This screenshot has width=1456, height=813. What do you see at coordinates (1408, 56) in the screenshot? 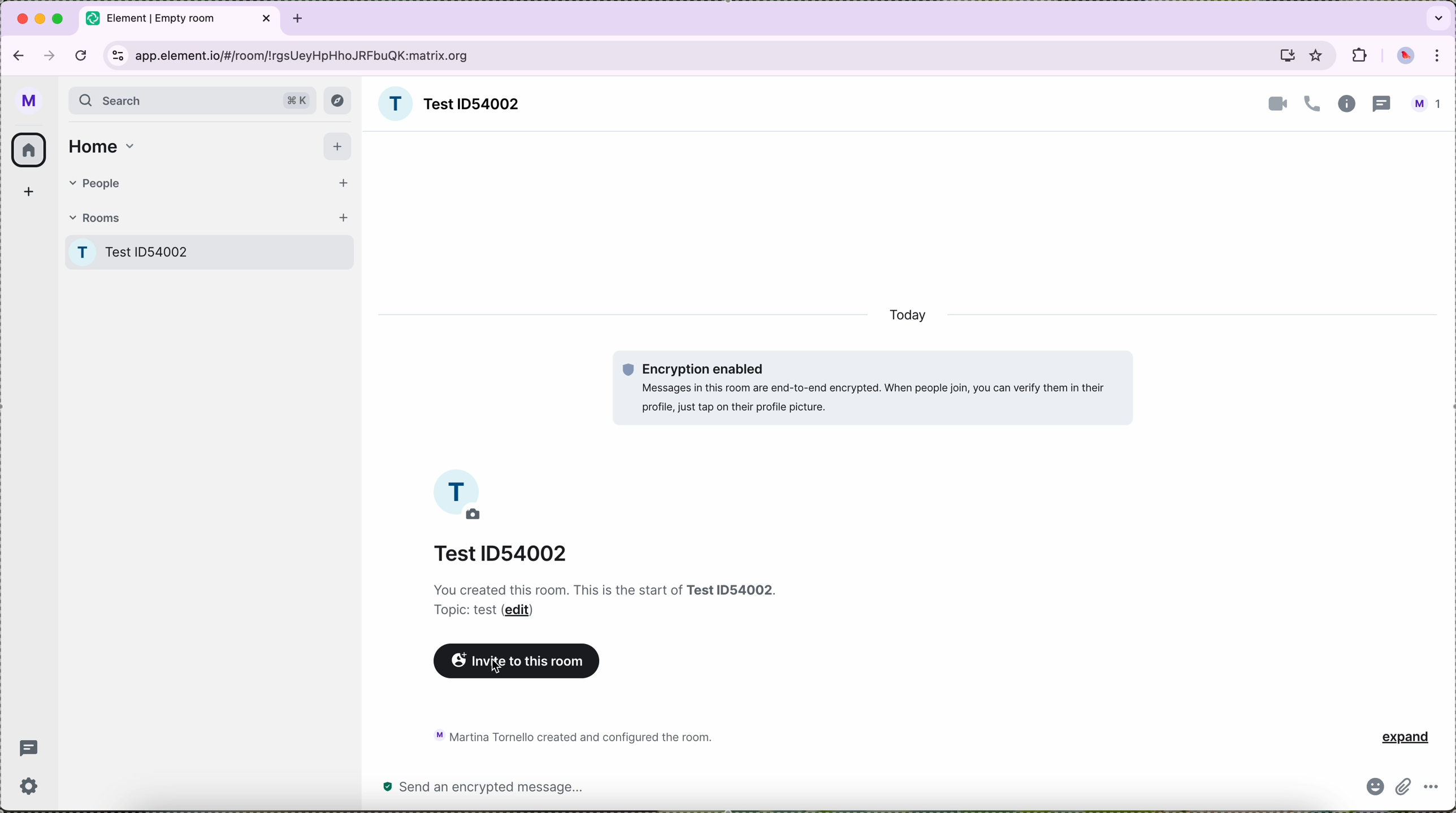
I see `profile picture` at bounding box center [1408, 56].